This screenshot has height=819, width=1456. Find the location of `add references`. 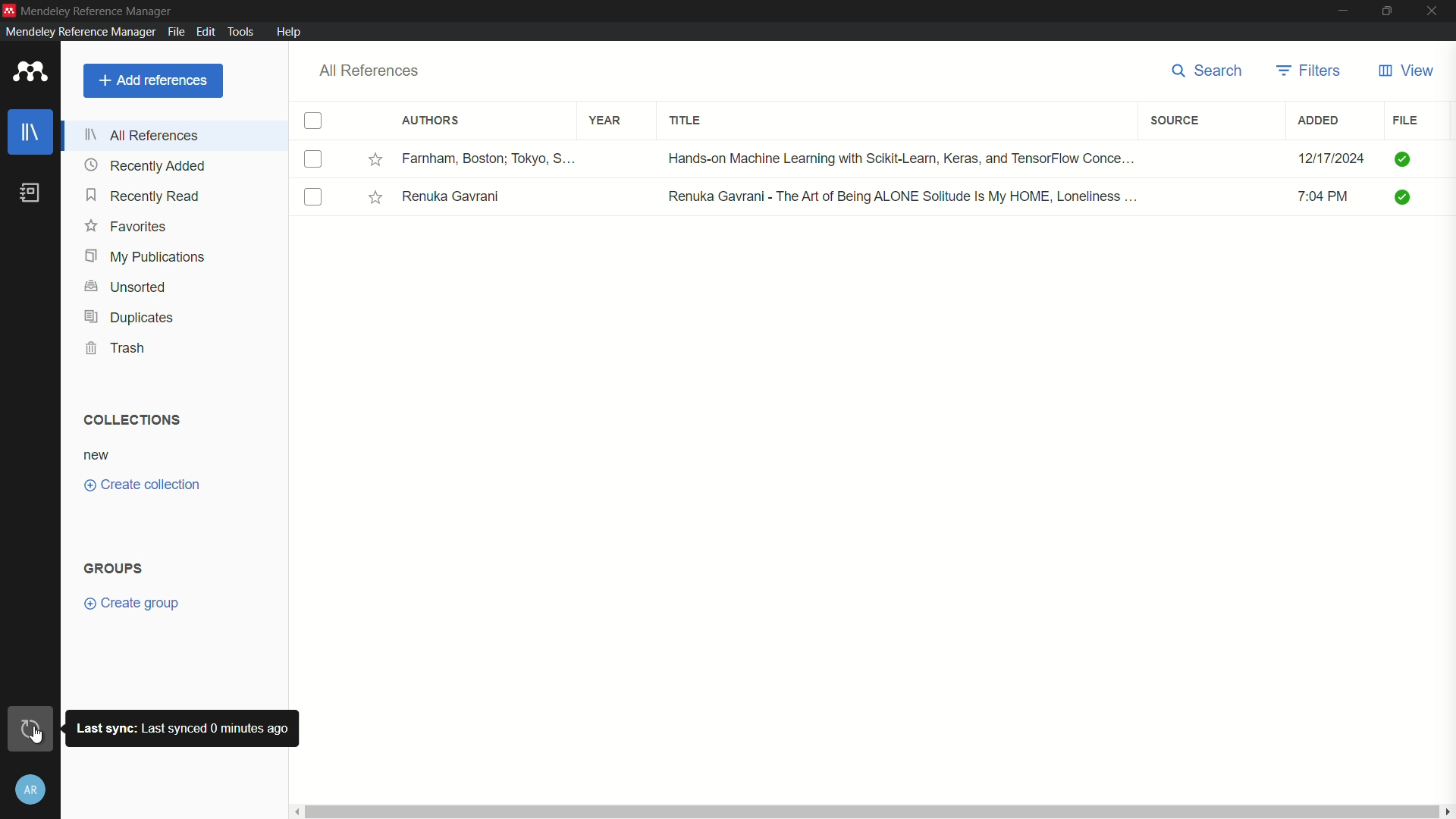

add references is located at coordinates (153, 82).